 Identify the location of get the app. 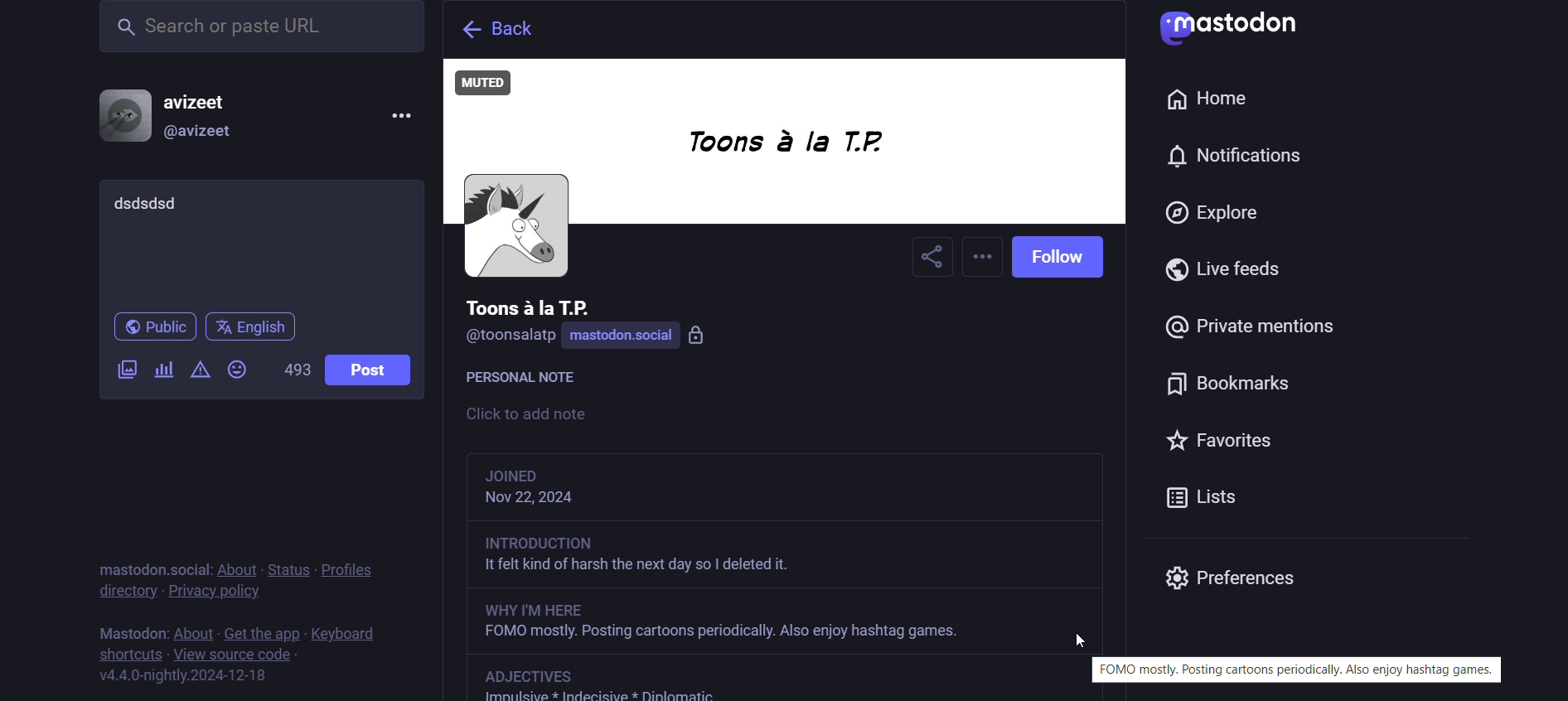
(258, 631).